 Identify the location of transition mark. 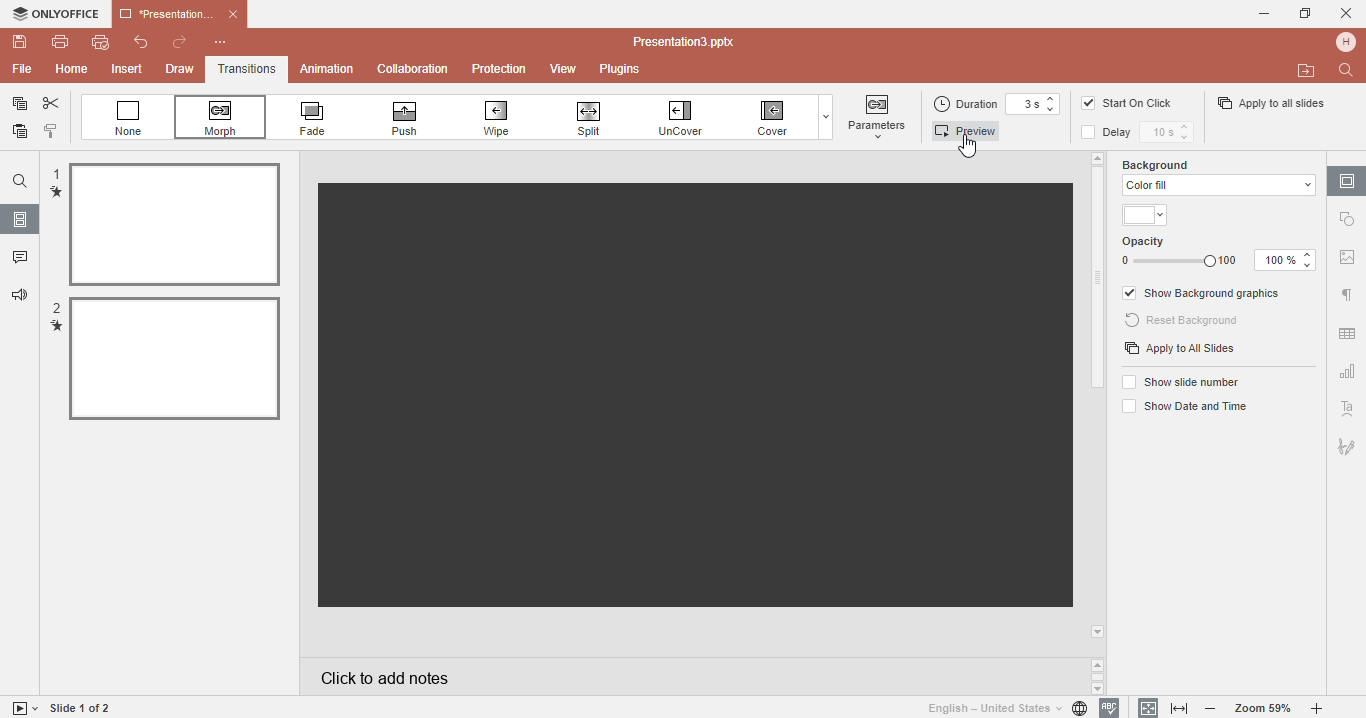
(57, 328).